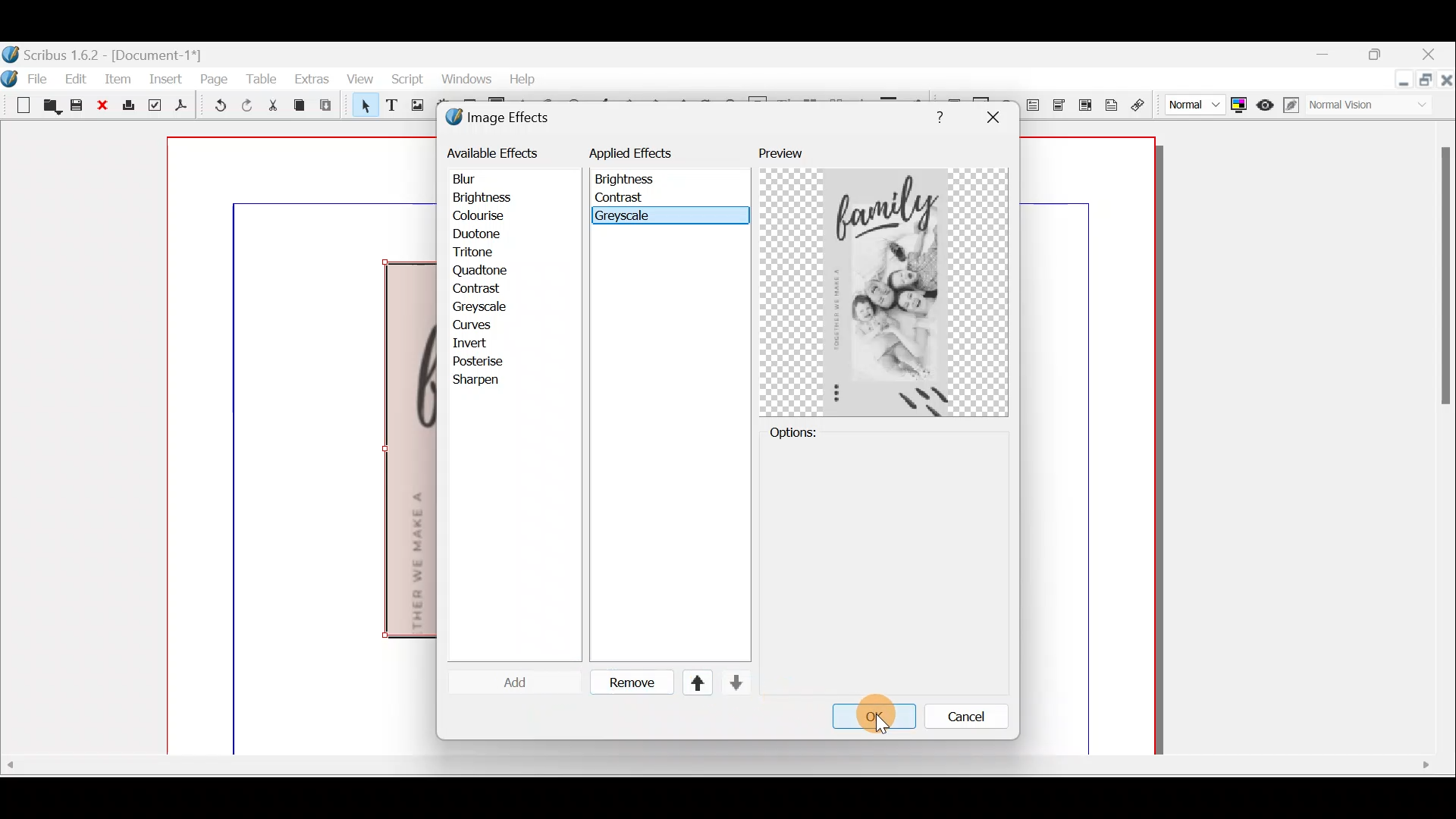 The width and height of the screenshot is (1456, 819). What do you see at coordinates (130, 109) in the screenshot?
I see `Print` at bounding box center [130, 109].